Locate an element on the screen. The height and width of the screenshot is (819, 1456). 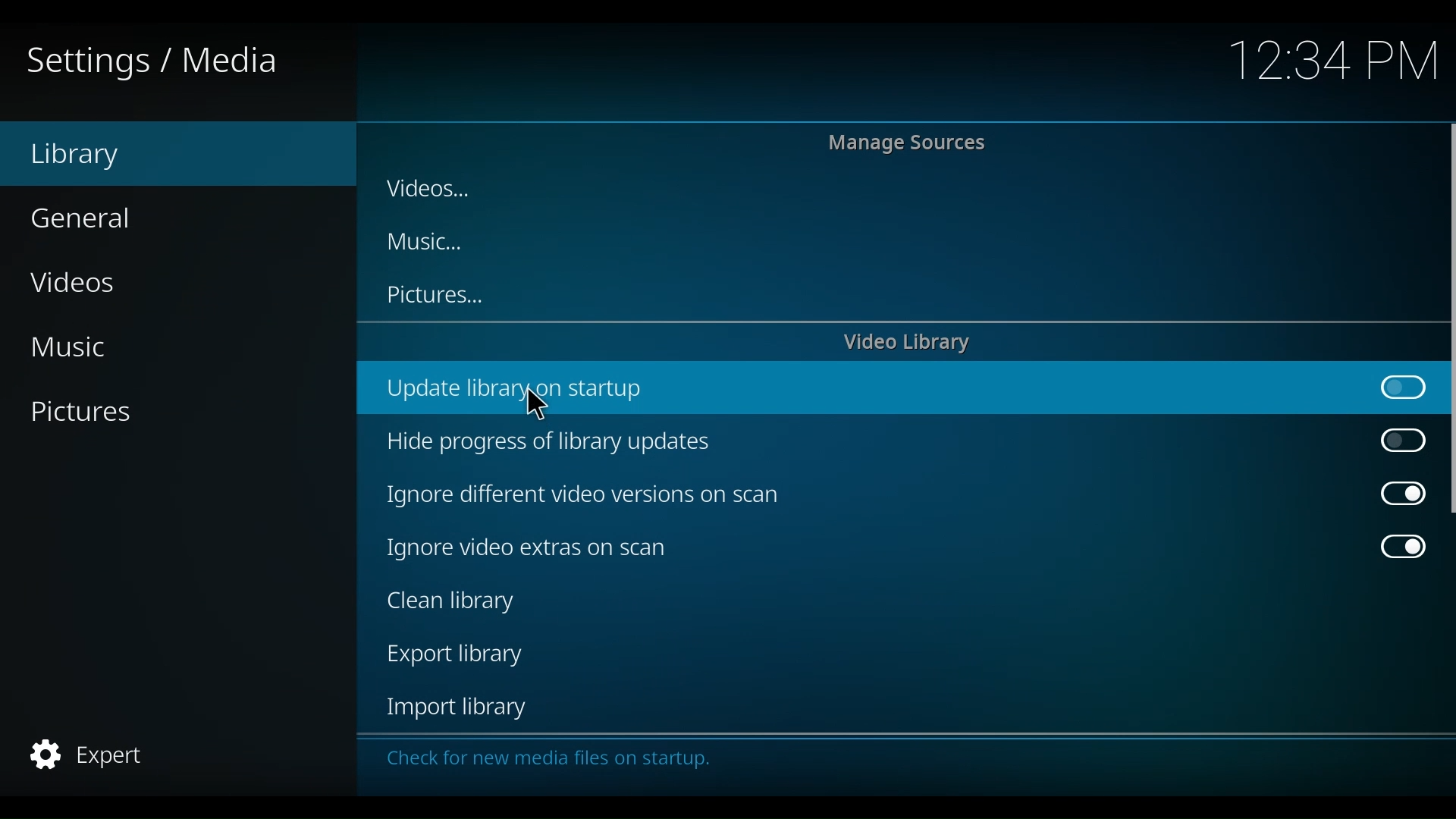
Videos is located at coordinates (77, 284).